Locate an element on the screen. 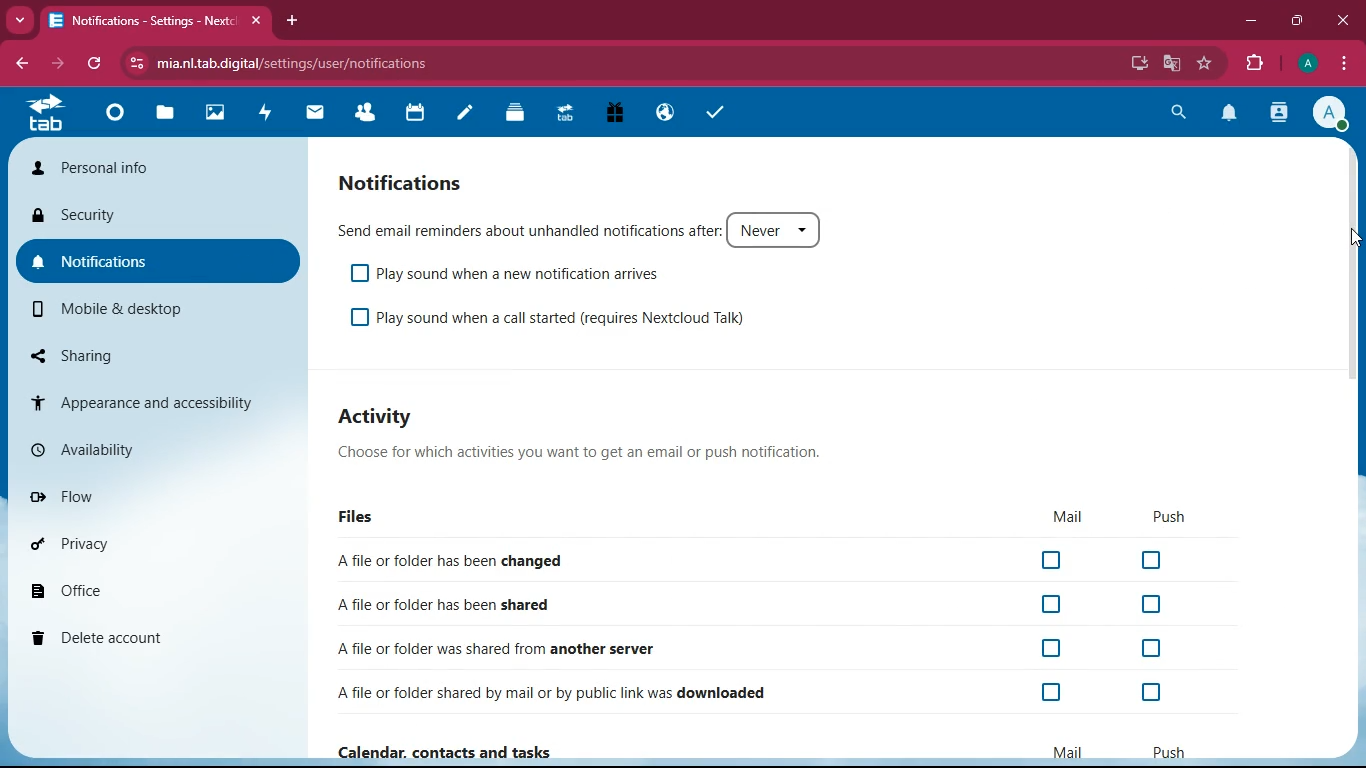  A file or folder has been shared is located at coordinates (748, 607).